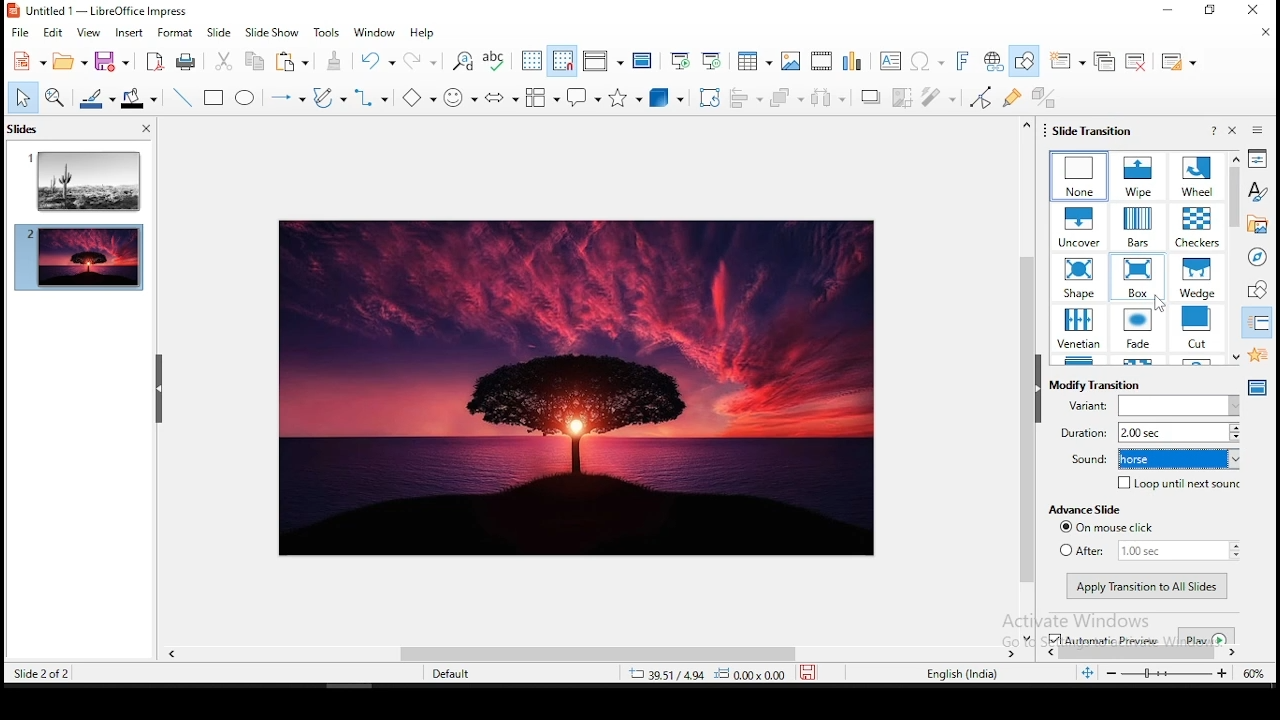 This screenshot has width=1280, height=720. What do you see at coordinates (1198, 327) in the screenshot?
I see `transition effects` at bounding box center [1198, 327].